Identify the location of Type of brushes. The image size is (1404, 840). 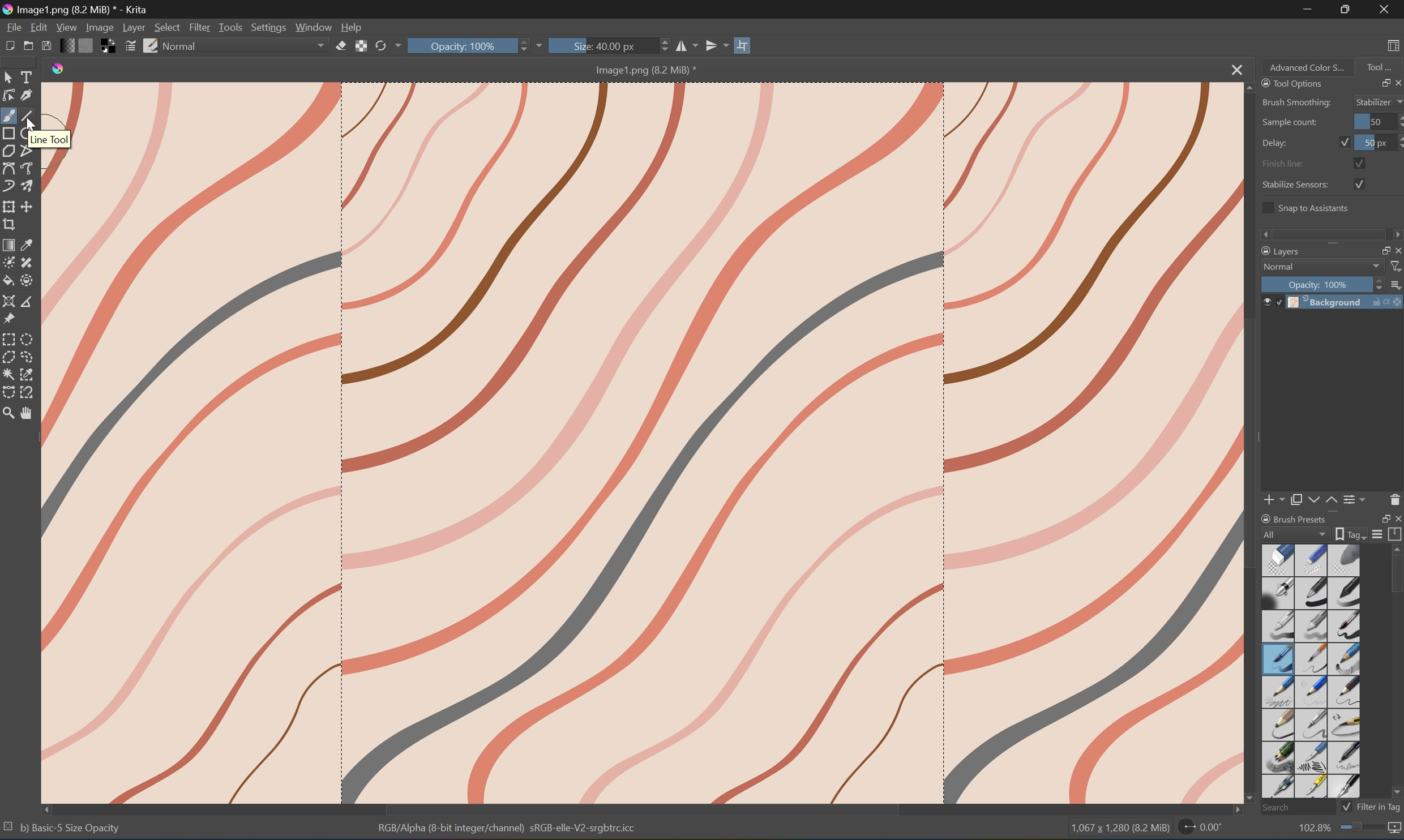
(1310, 670).